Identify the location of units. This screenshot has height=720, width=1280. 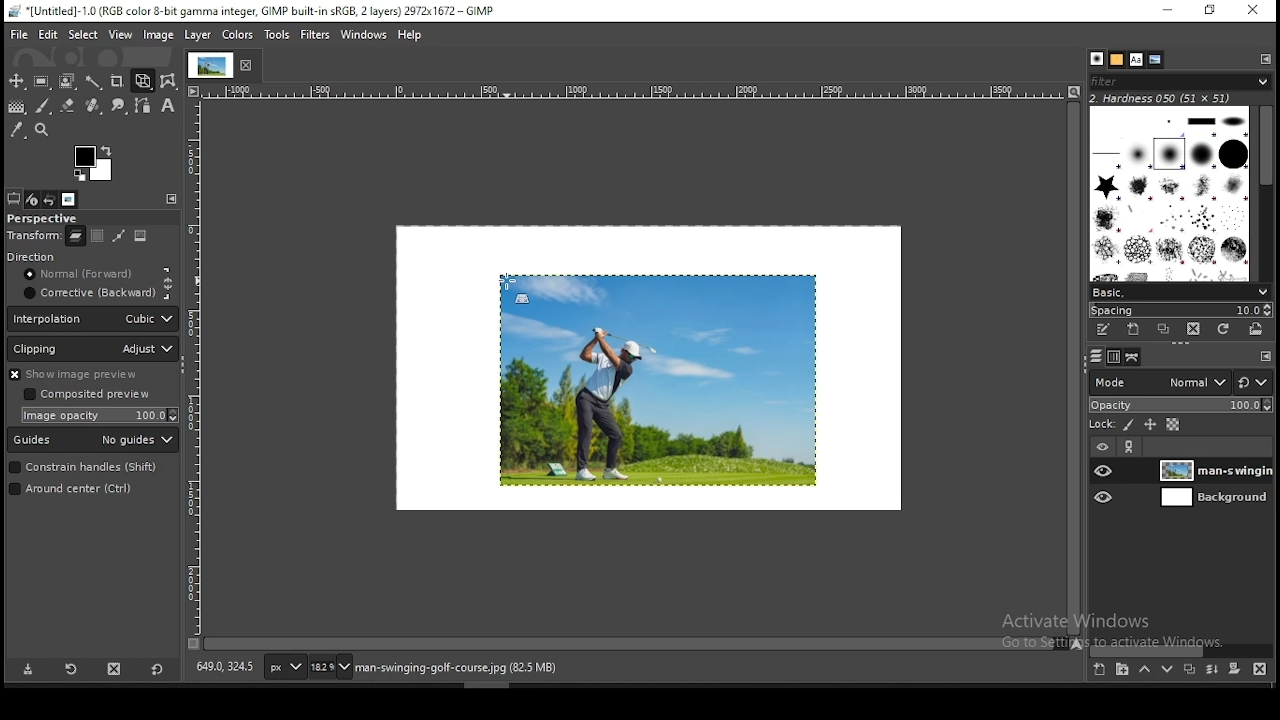
(284, 667).